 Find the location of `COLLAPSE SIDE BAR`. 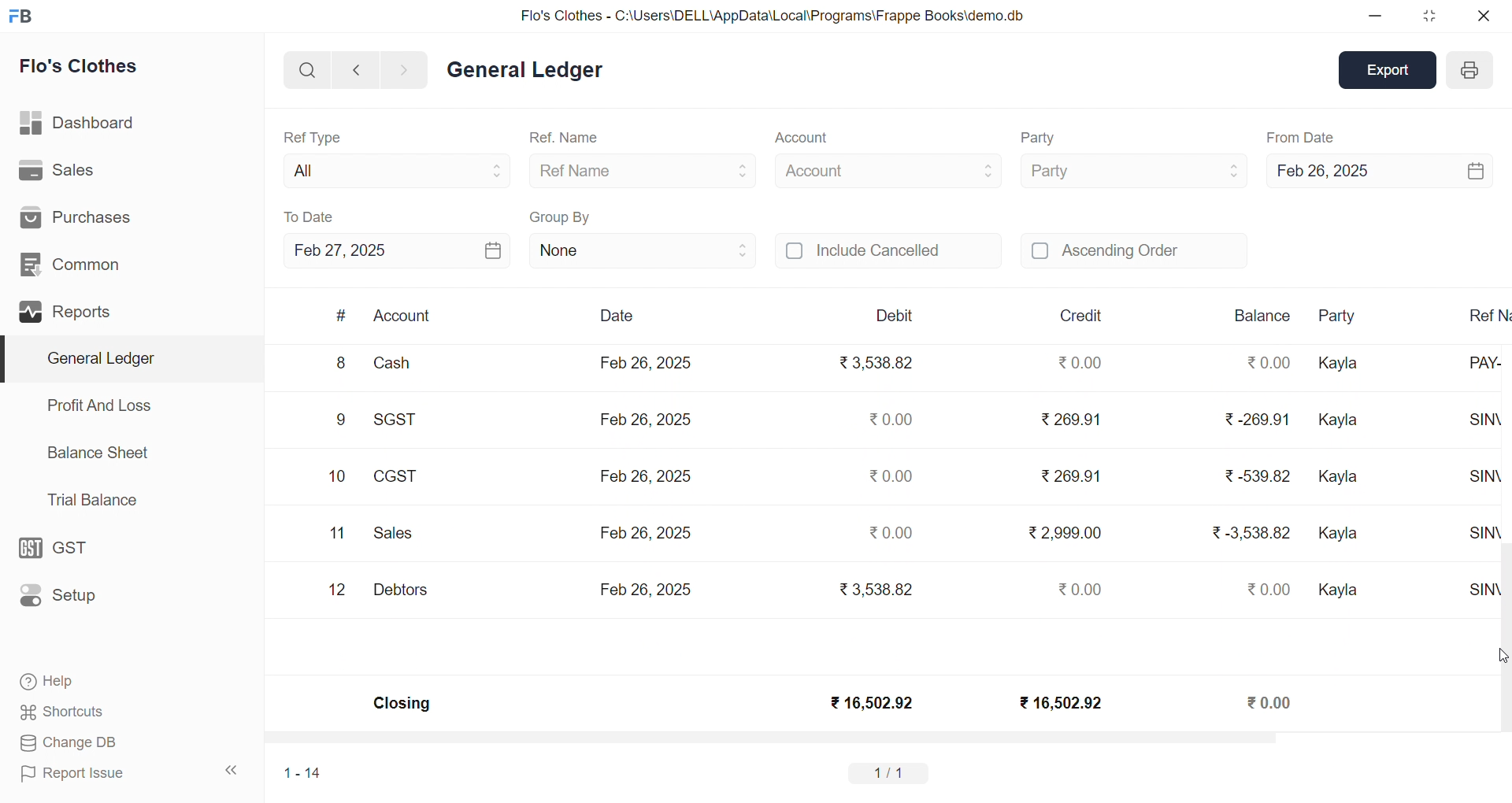

COLLAPSE SIDE BAR is located at coordinates (232, 770).